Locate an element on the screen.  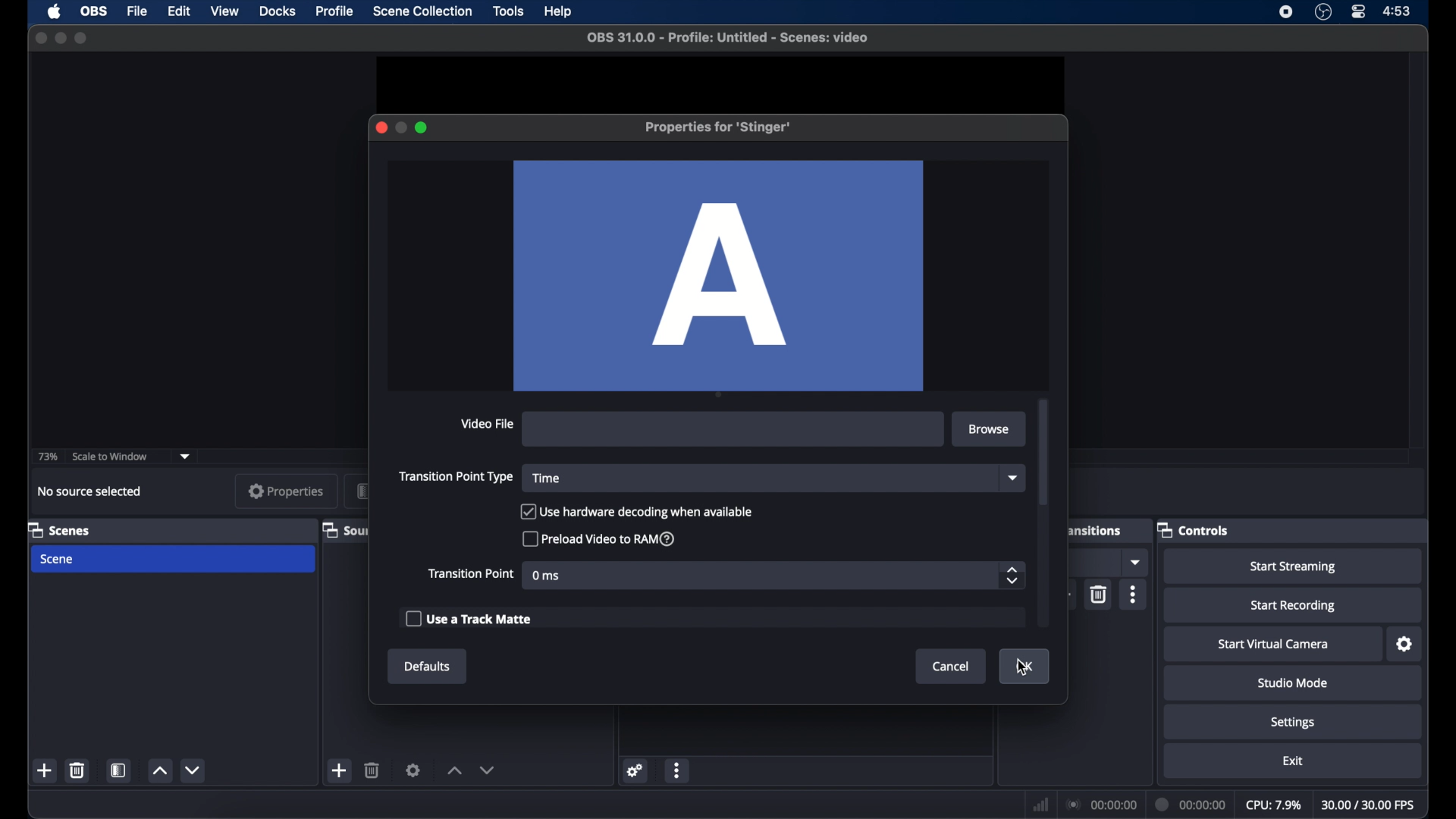
delete is located at coordinates (77, 769).